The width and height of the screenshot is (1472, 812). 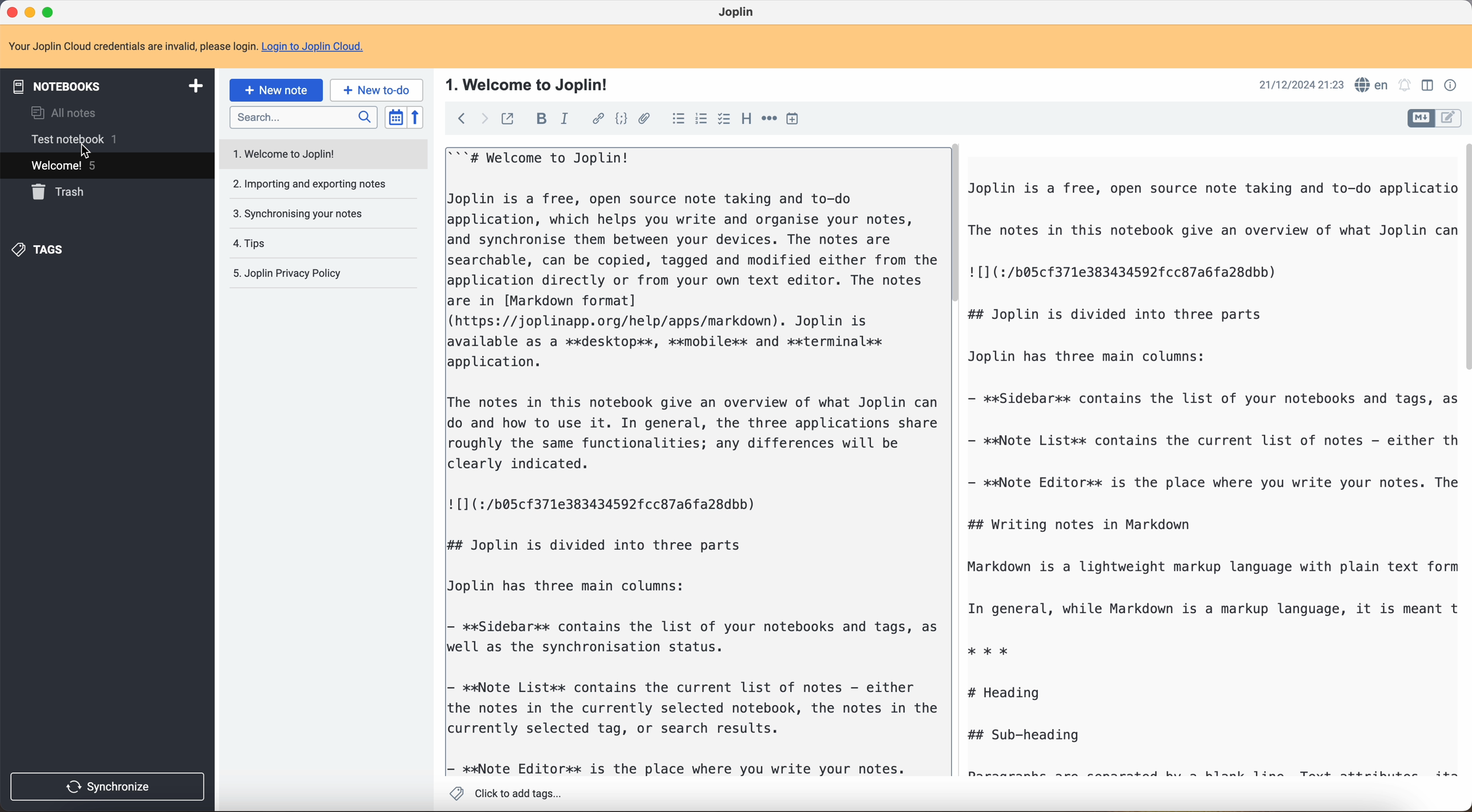 I want to click on scroll bar, so click(x=1463, y=255).